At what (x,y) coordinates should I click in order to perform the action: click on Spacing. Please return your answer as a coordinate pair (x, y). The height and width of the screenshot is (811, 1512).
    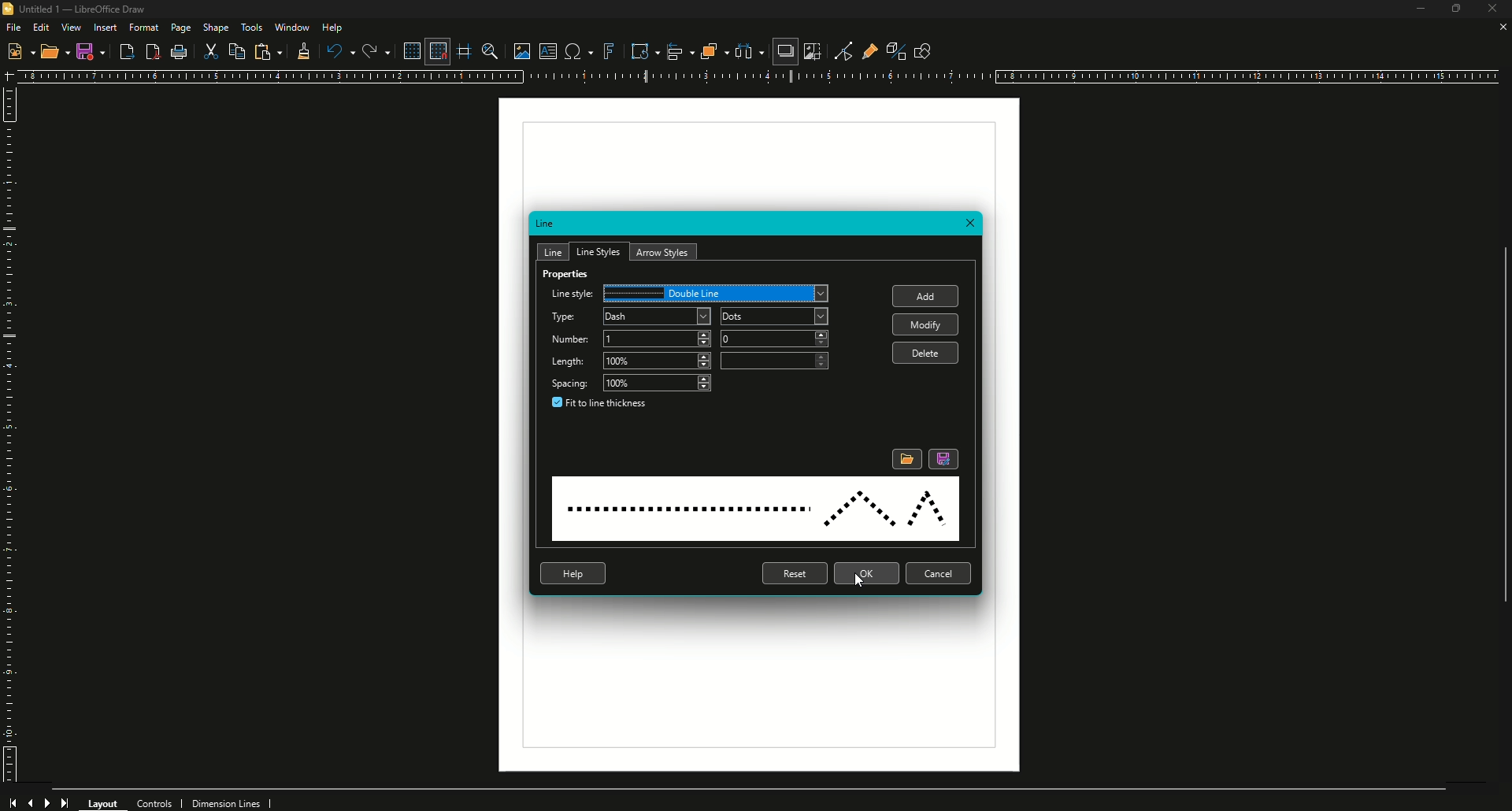
    Looking at the image, I should click on (571, 383).